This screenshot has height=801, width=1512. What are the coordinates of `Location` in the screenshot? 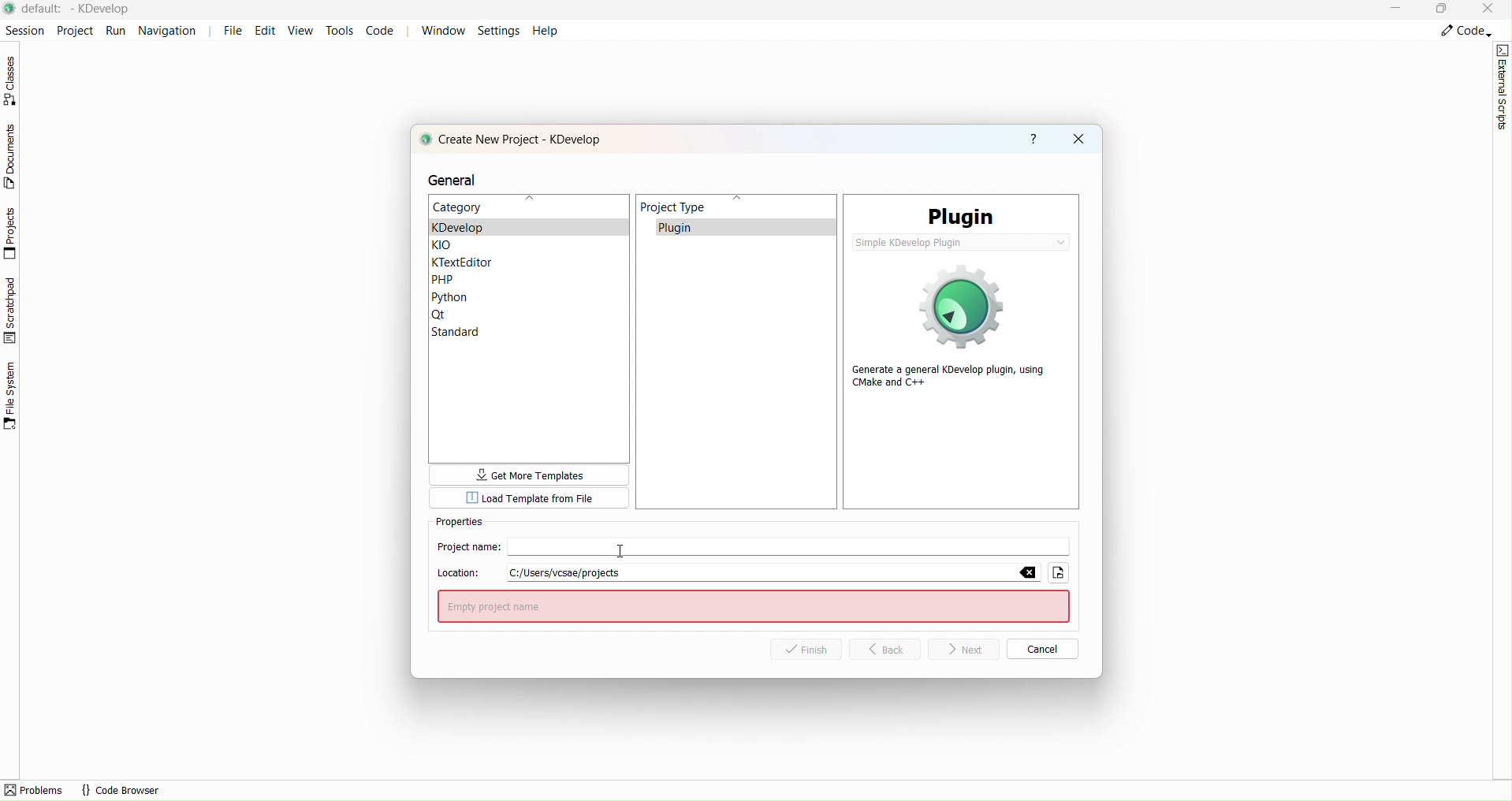 It's located at (754, 573).